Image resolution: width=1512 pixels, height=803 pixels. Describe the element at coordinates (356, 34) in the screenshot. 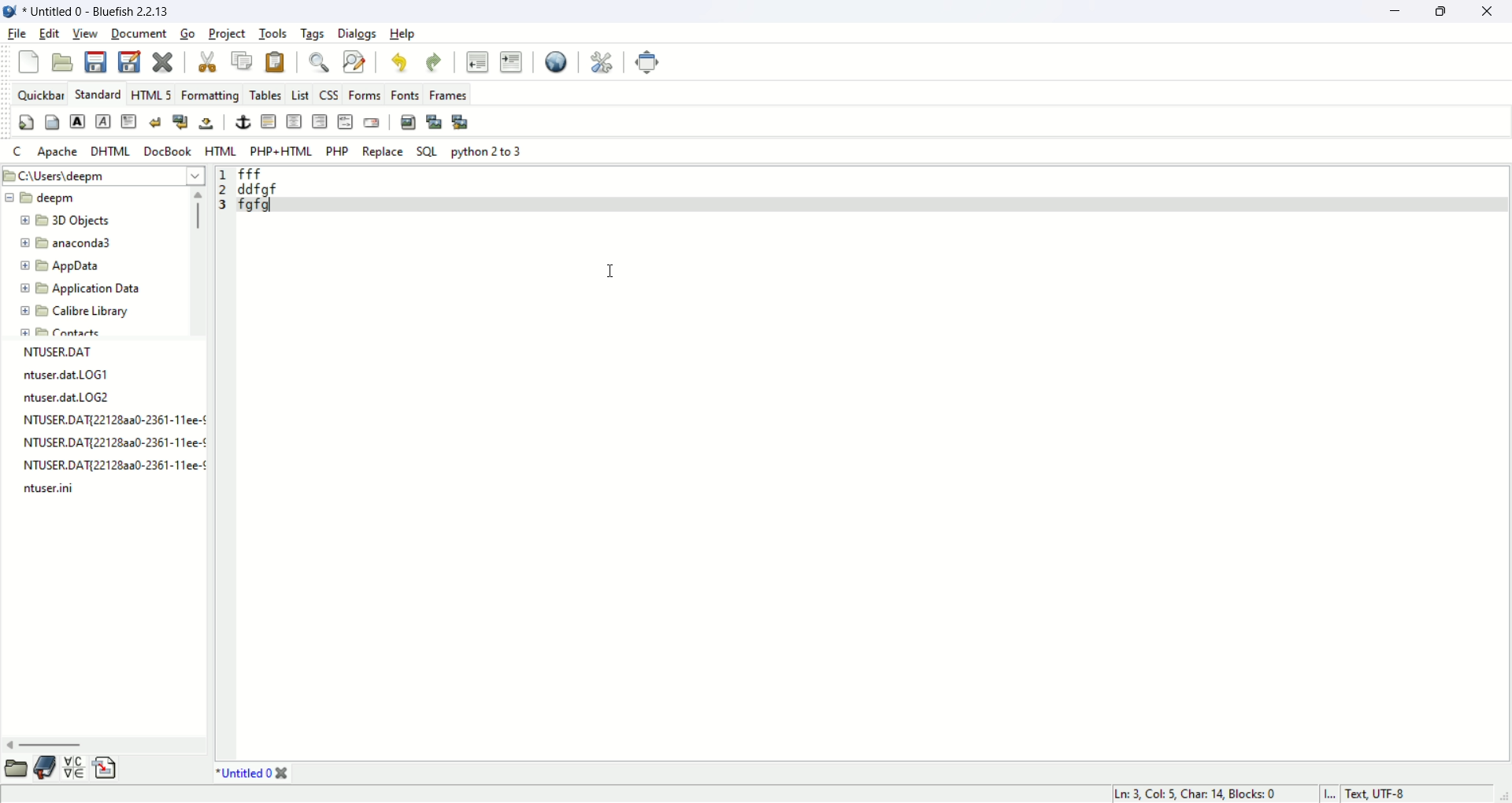

I see `dialogs` at that location.